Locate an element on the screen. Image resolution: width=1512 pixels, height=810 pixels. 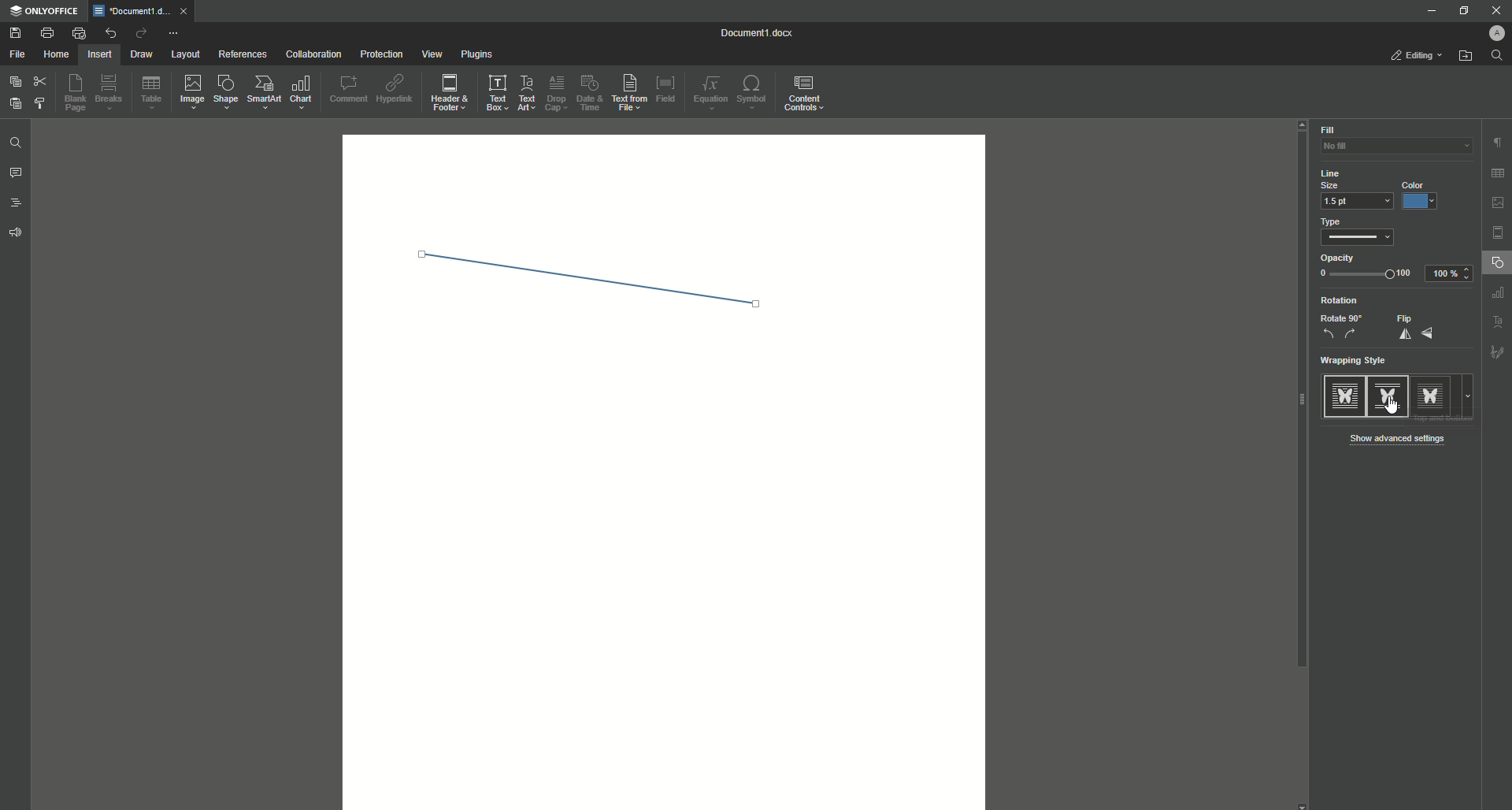
Field is located at coordinates (667, 88).